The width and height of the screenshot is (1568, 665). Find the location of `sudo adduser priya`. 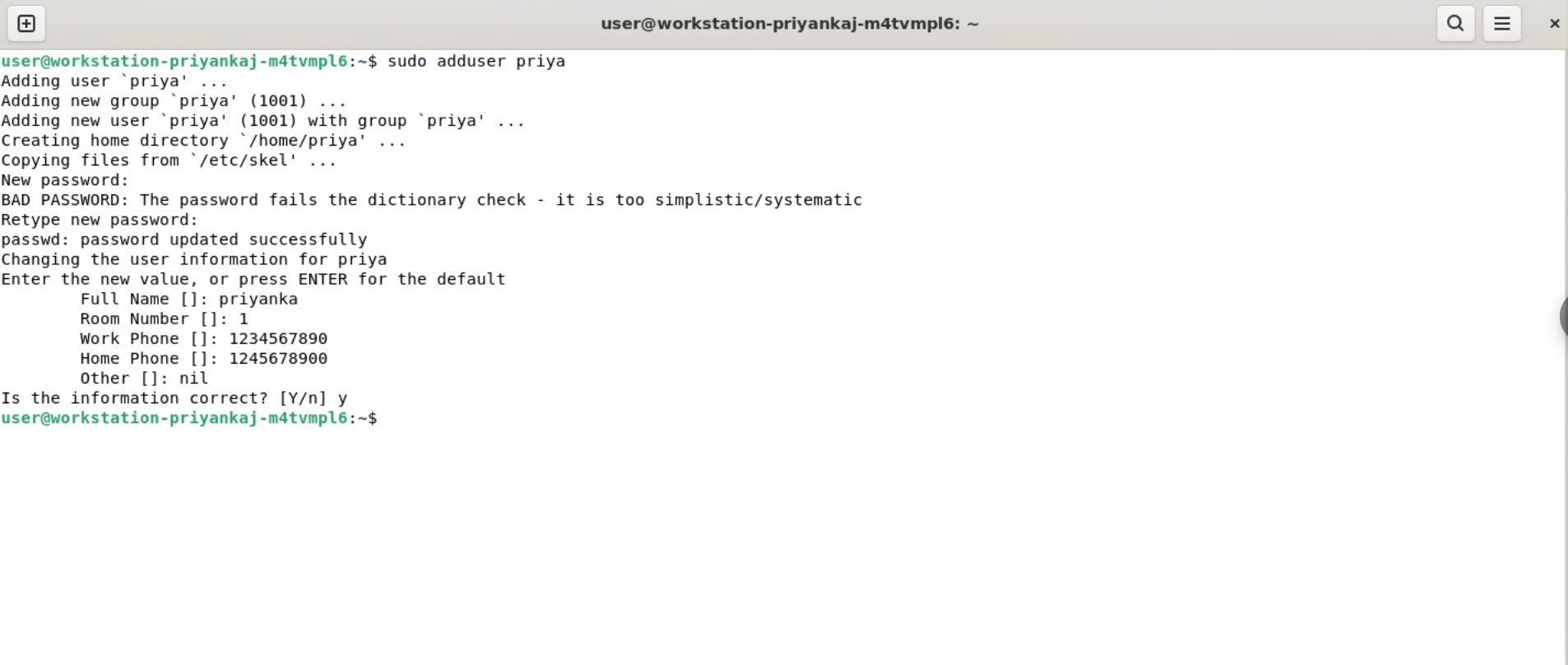

sudo adduser priya is located at coordinates (489, 61).